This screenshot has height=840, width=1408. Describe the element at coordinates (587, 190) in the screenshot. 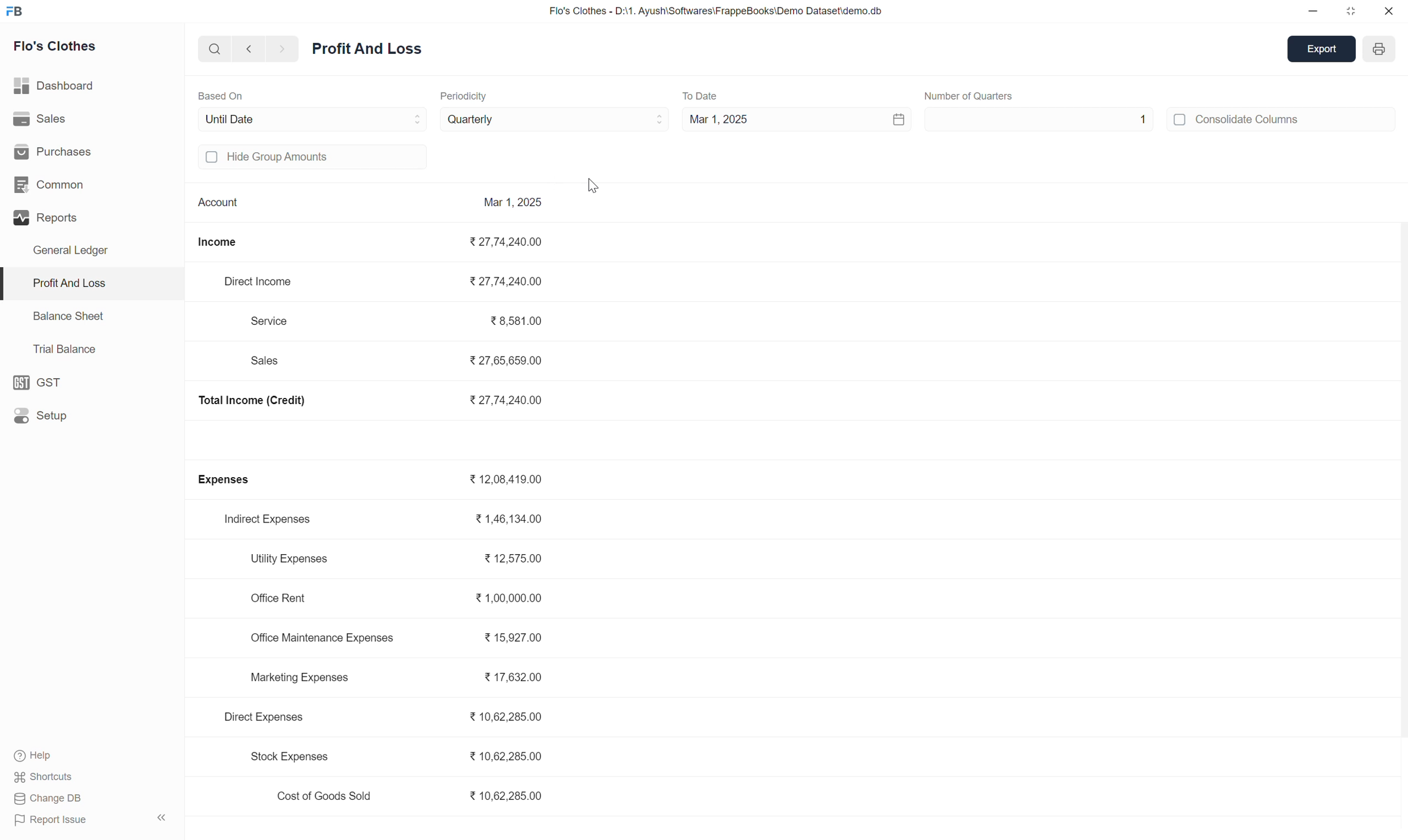

I see `Cursor` at that location.